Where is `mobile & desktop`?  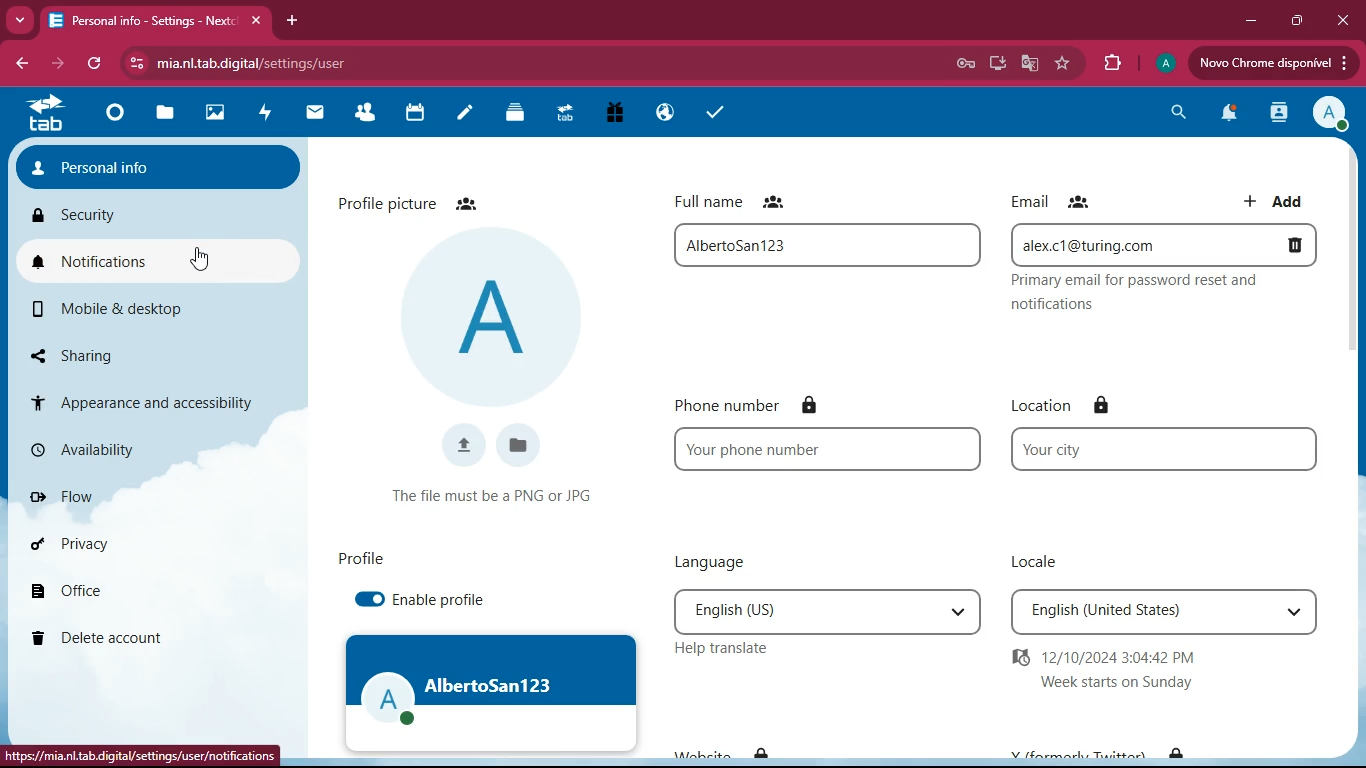
mobile & desktop is located at coordinates (118, 309).